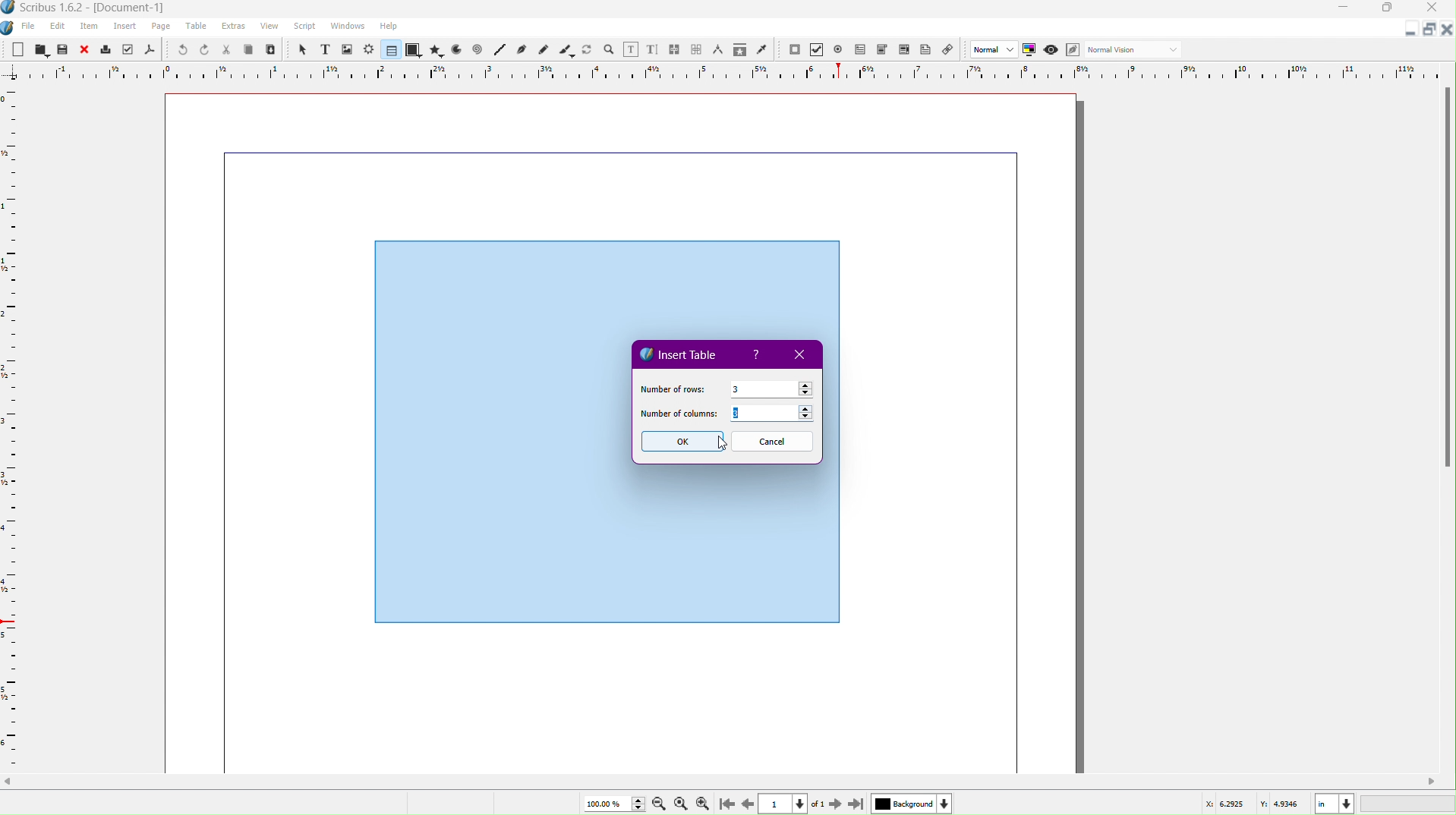 This screenshot has height=815, width=1456. Describe the element at coordinates (785, 804) in the screenshot. I see `Page Number` at that location.